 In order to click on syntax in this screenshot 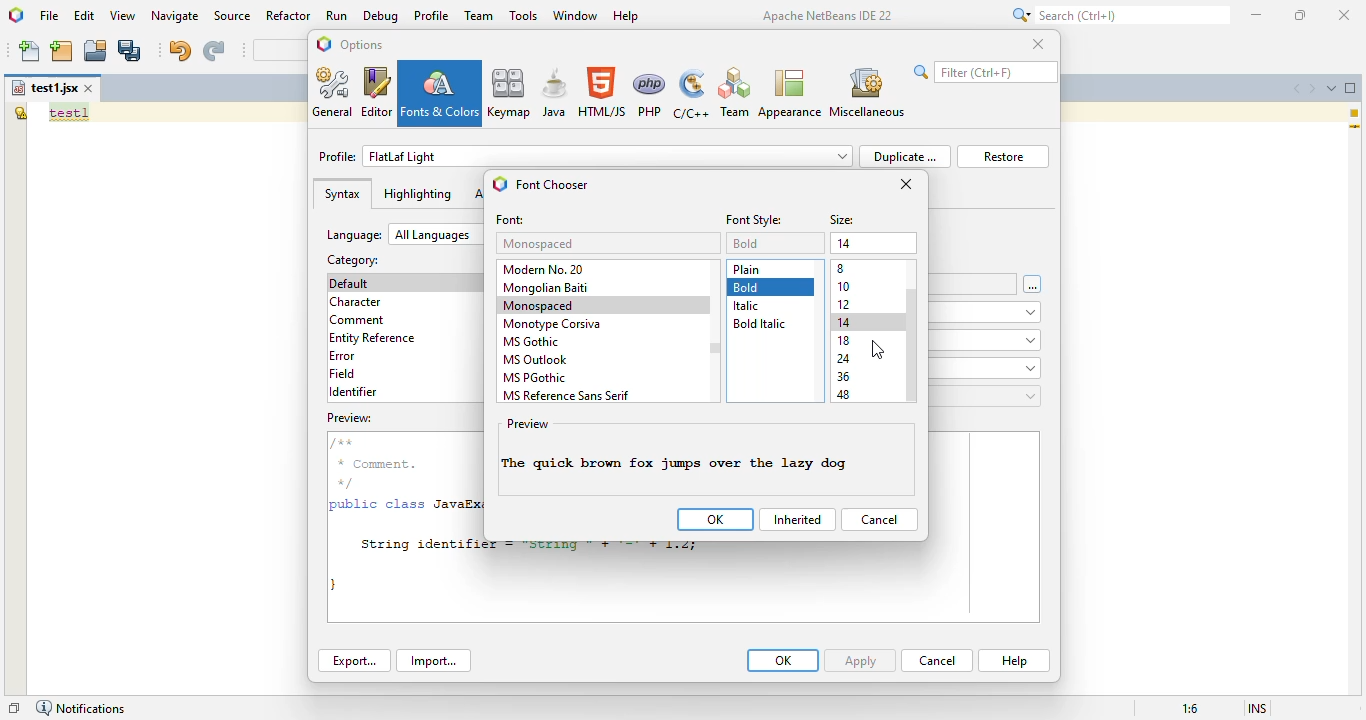, I will do `click(342, 194)`.